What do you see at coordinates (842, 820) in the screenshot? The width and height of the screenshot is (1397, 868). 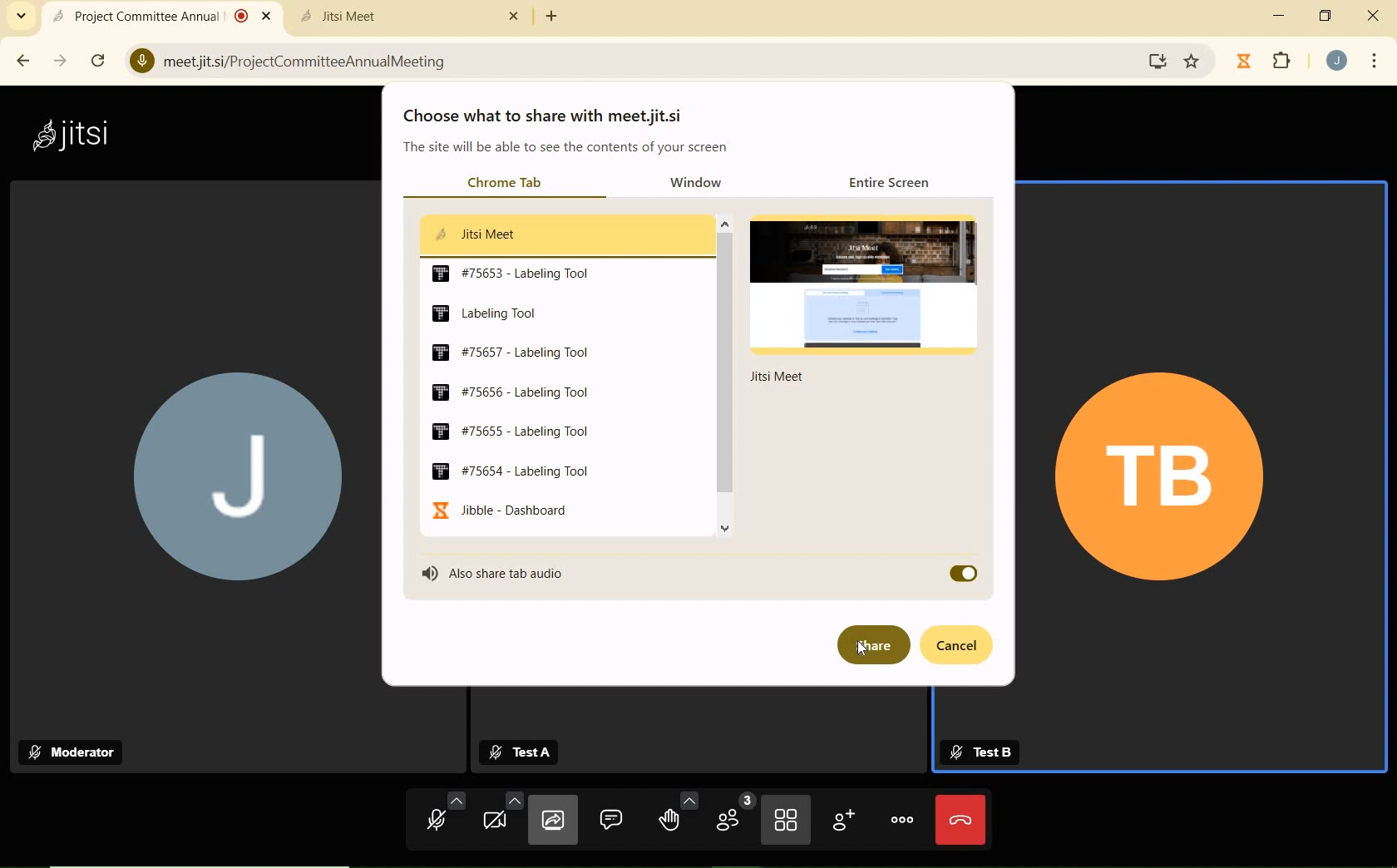 I see `invite people` at bounding box center [842, 820].